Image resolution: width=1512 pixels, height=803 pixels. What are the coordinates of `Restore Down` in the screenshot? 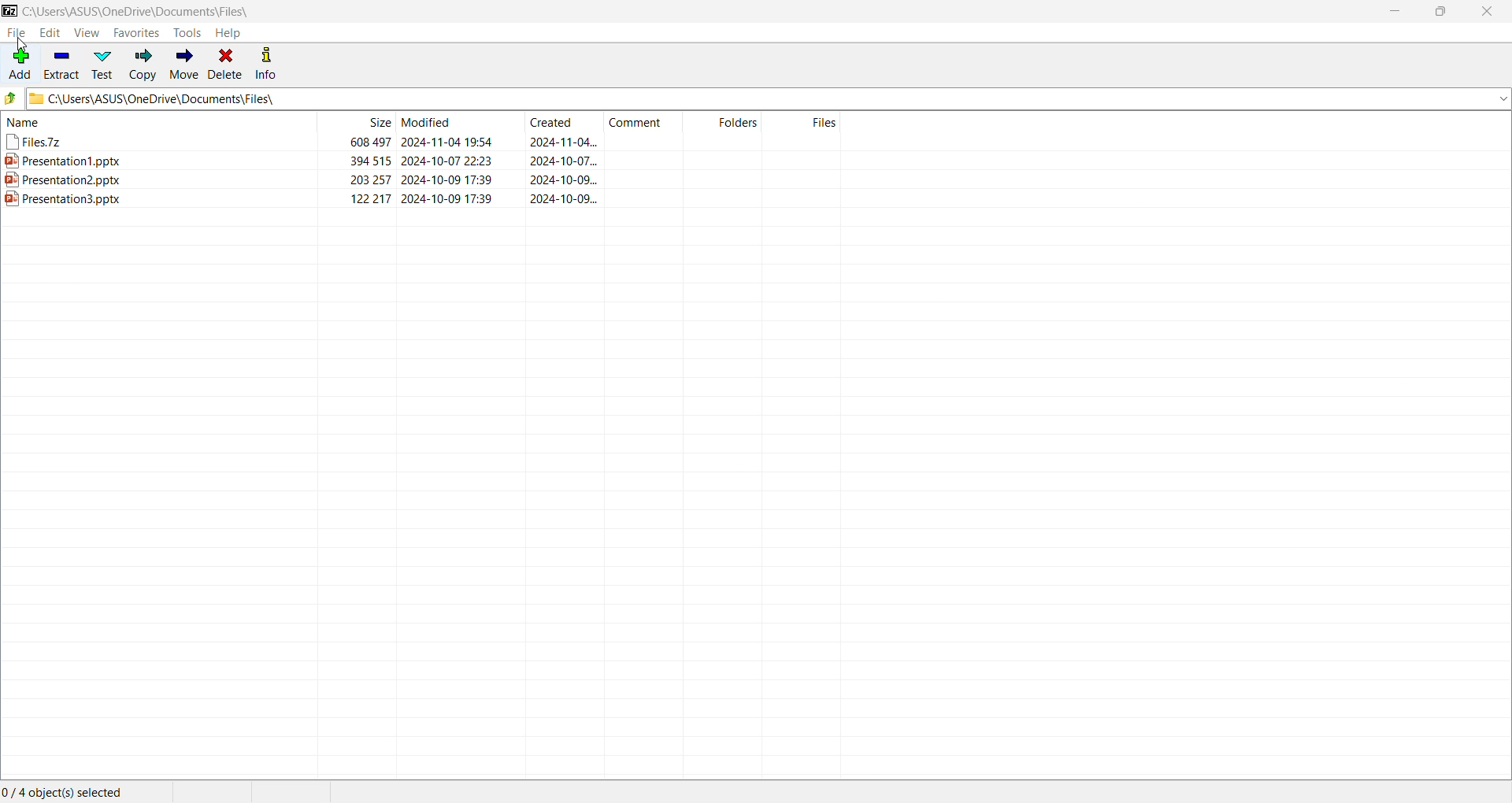 It's located at (1443, 10).